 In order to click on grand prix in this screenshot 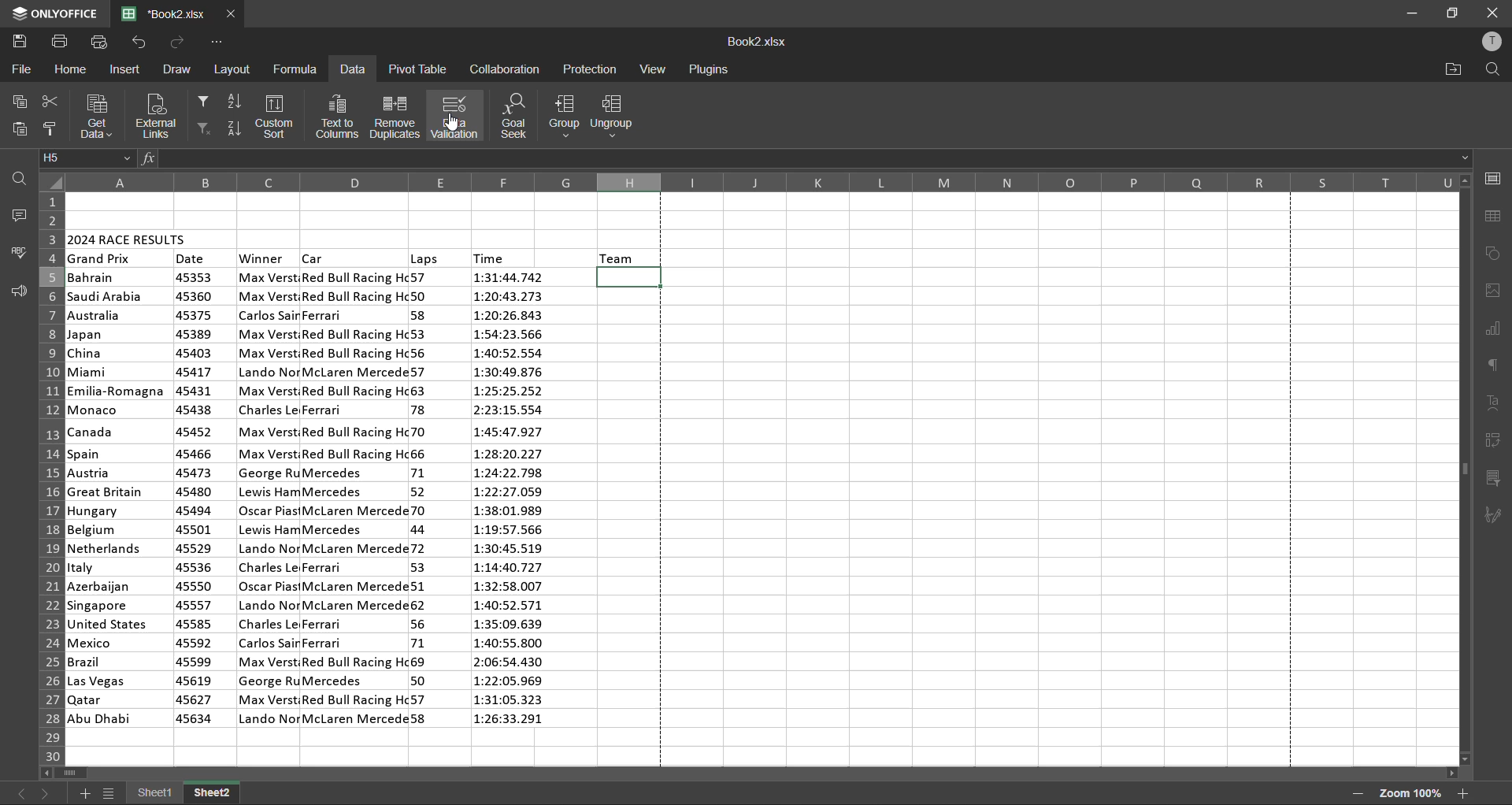, I will do `click(101, 259)`.